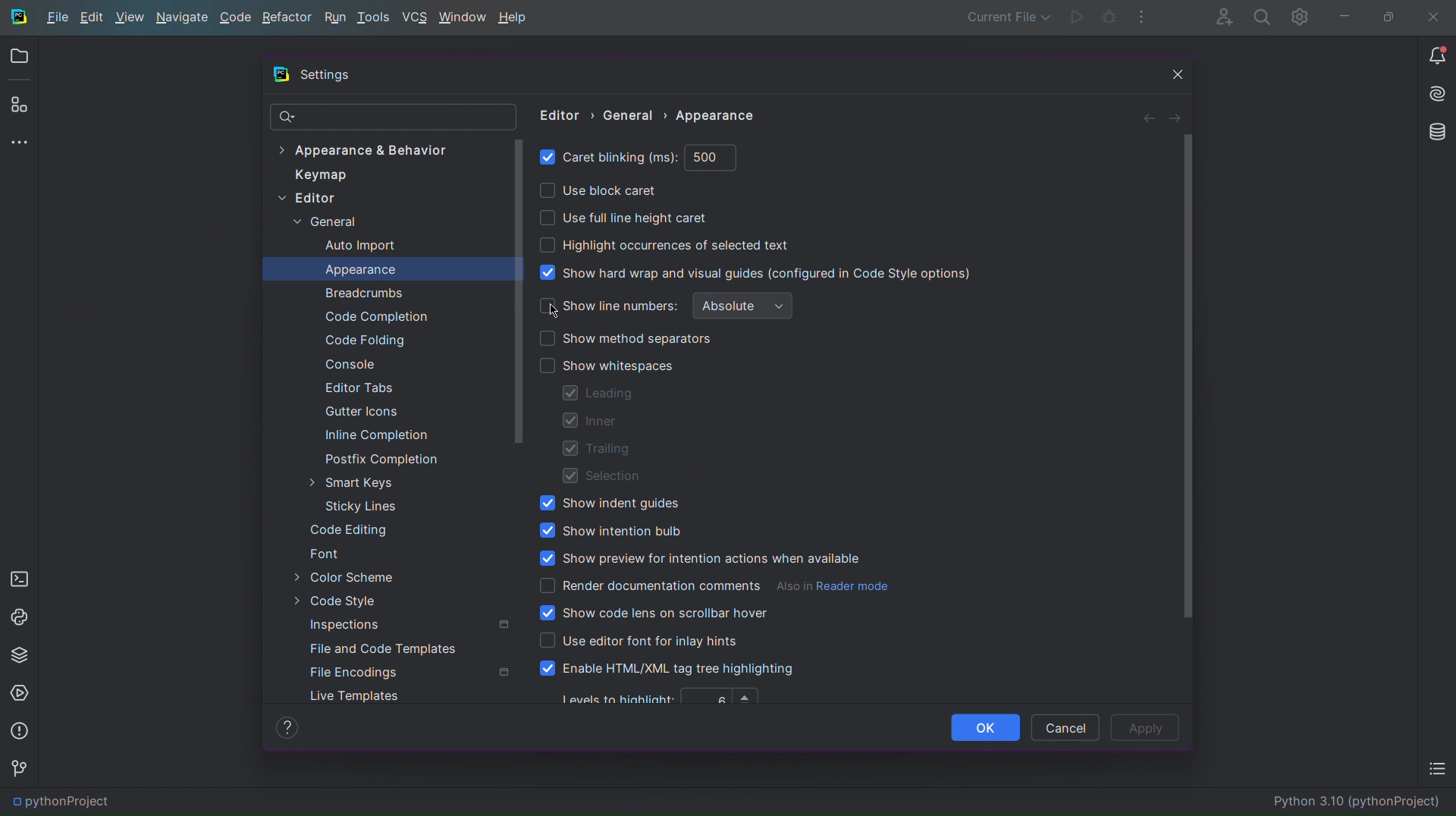 The image size is (1456, 816). I want to click on Show preview for intention actions when available, so click(698, 559).